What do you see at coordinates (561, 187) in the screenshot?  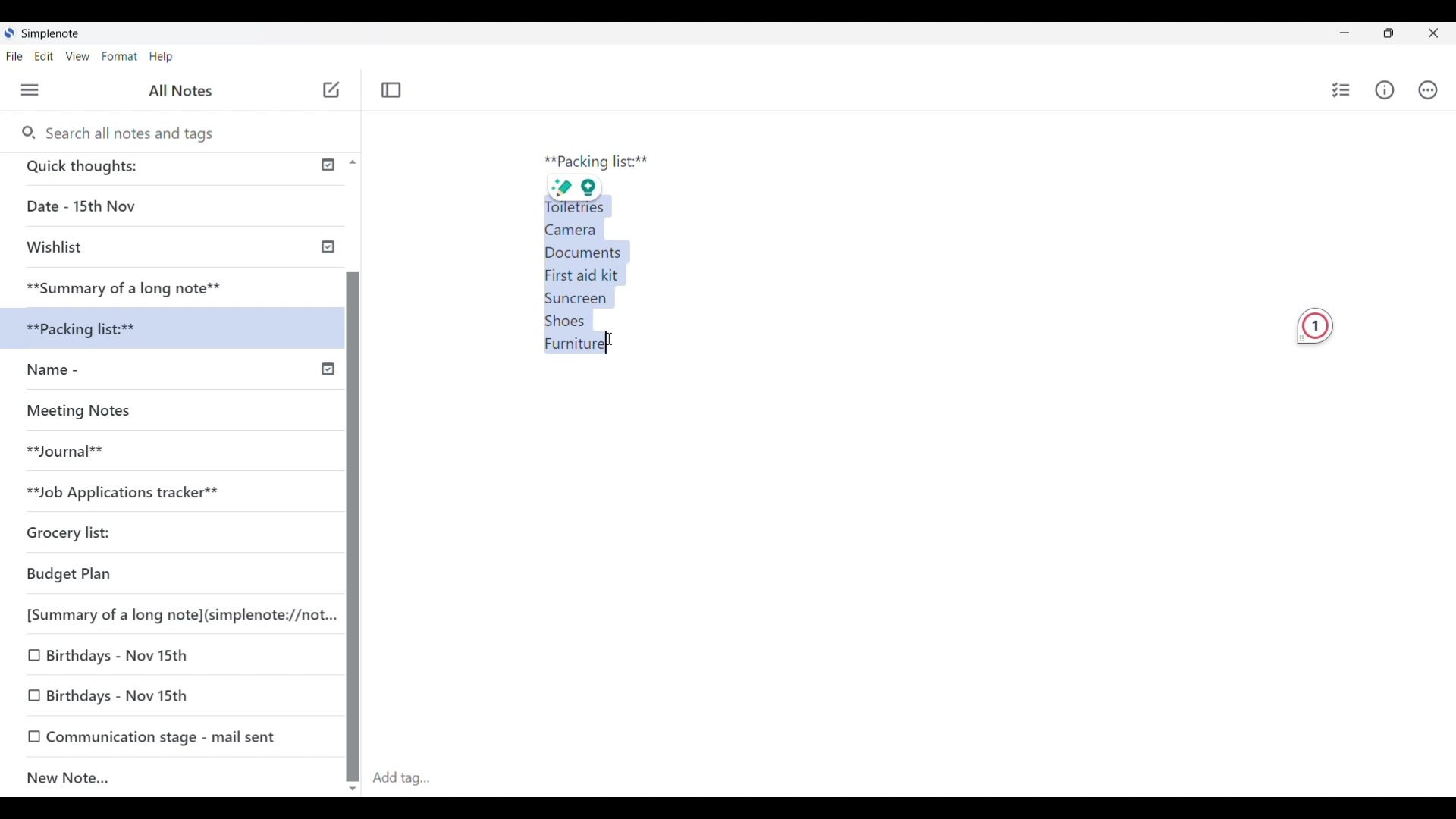 I see `sharp` at bounding box center [561, 187].